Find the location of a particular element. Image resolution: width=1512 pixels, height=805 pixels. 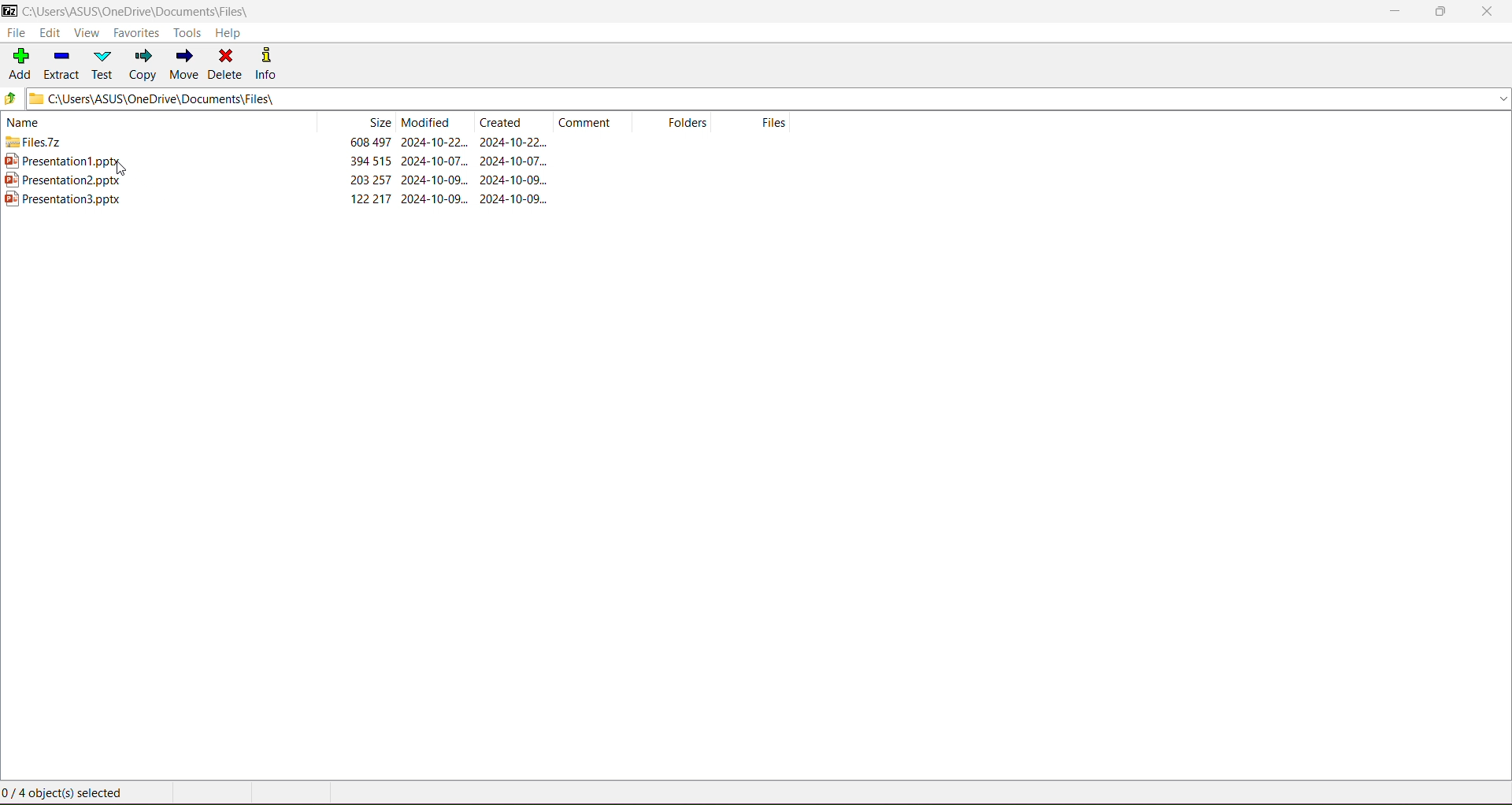

folders is located at coordinates (687, 122).